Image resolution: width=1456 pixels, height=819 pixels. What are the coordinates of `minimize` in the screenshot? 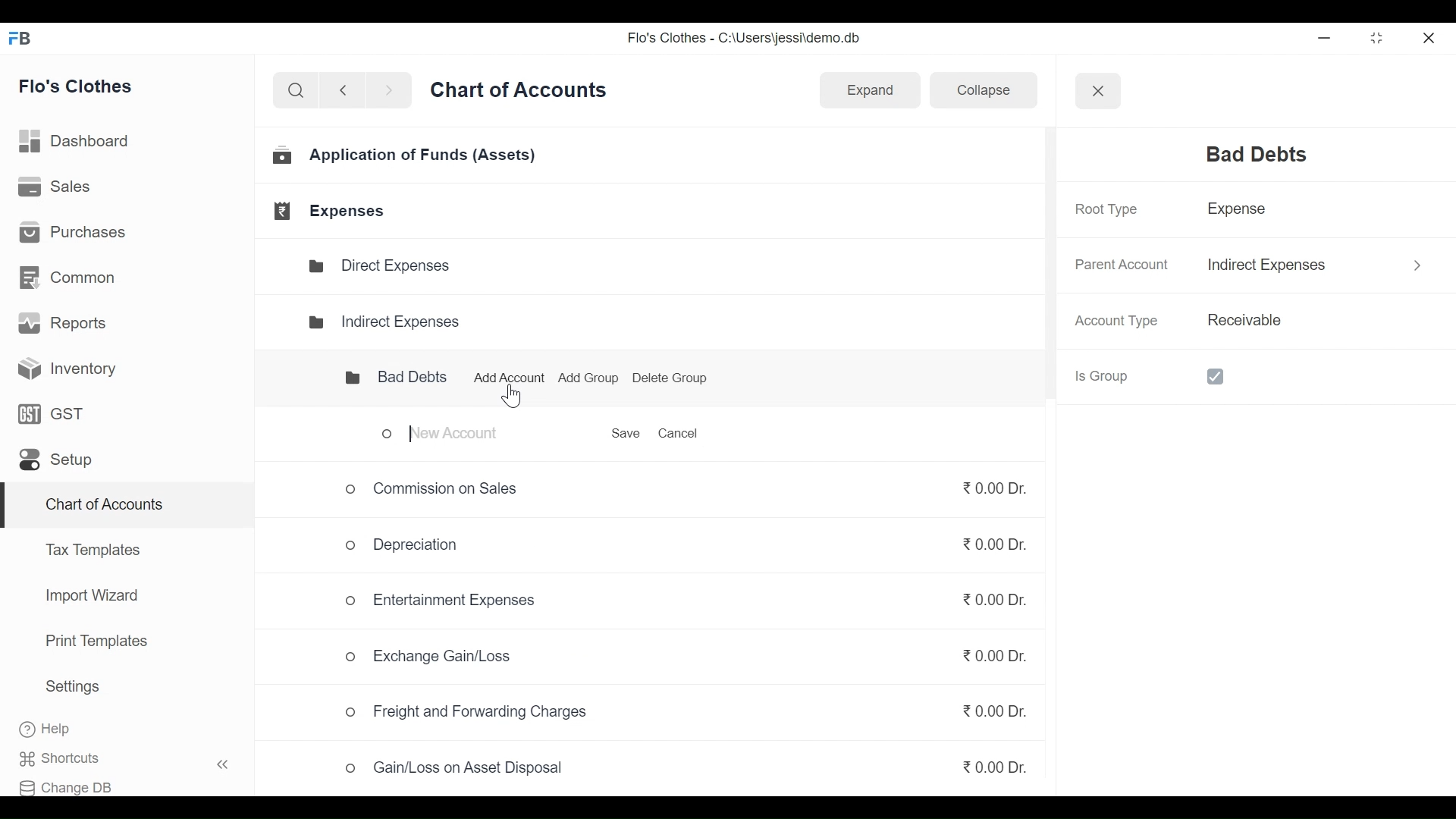 It's located at (1327, 38).